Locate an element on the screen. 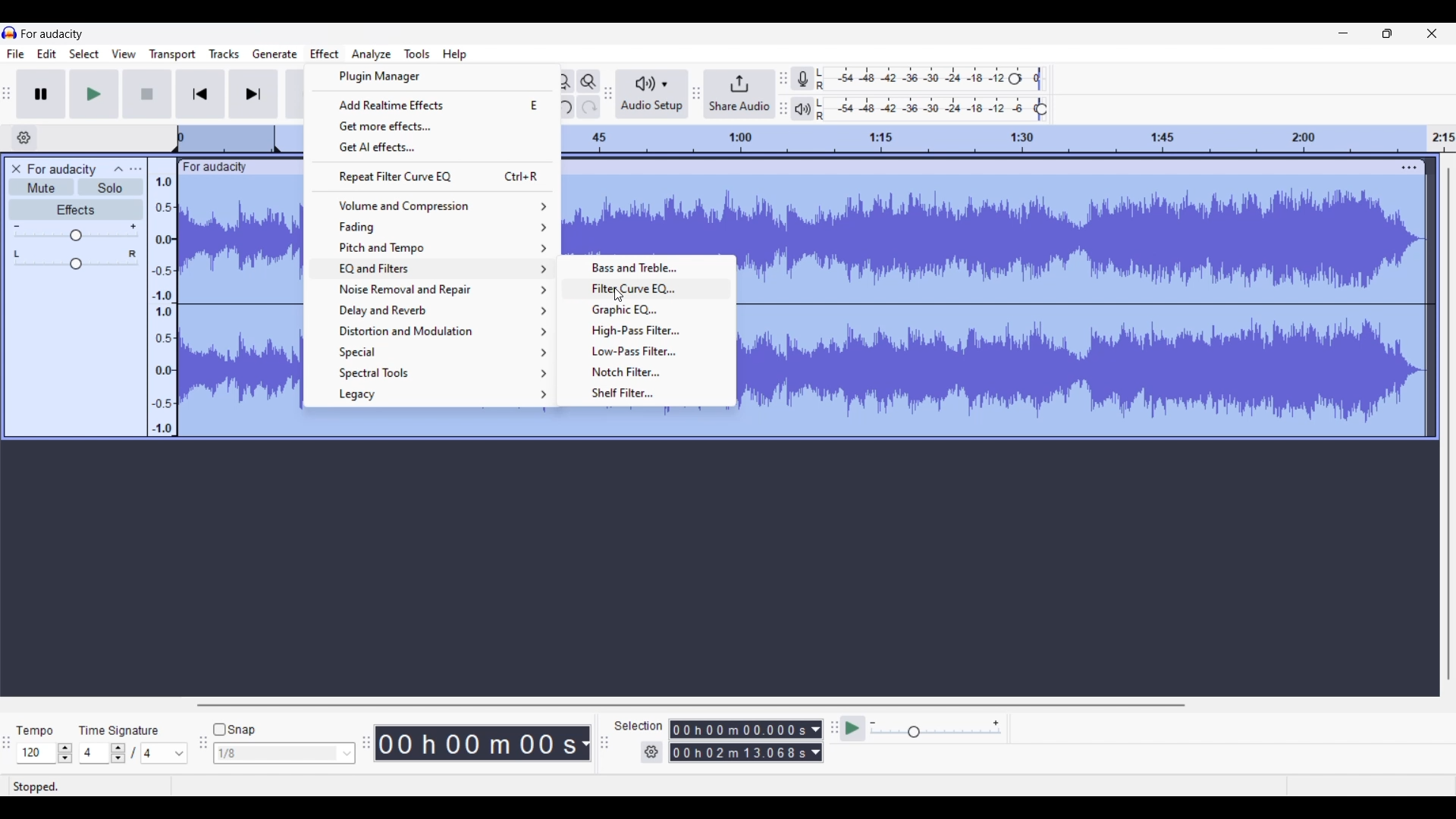 The height and width of the screenshot is (819, 1456). Min. gain is located at coordinates (17, 226).